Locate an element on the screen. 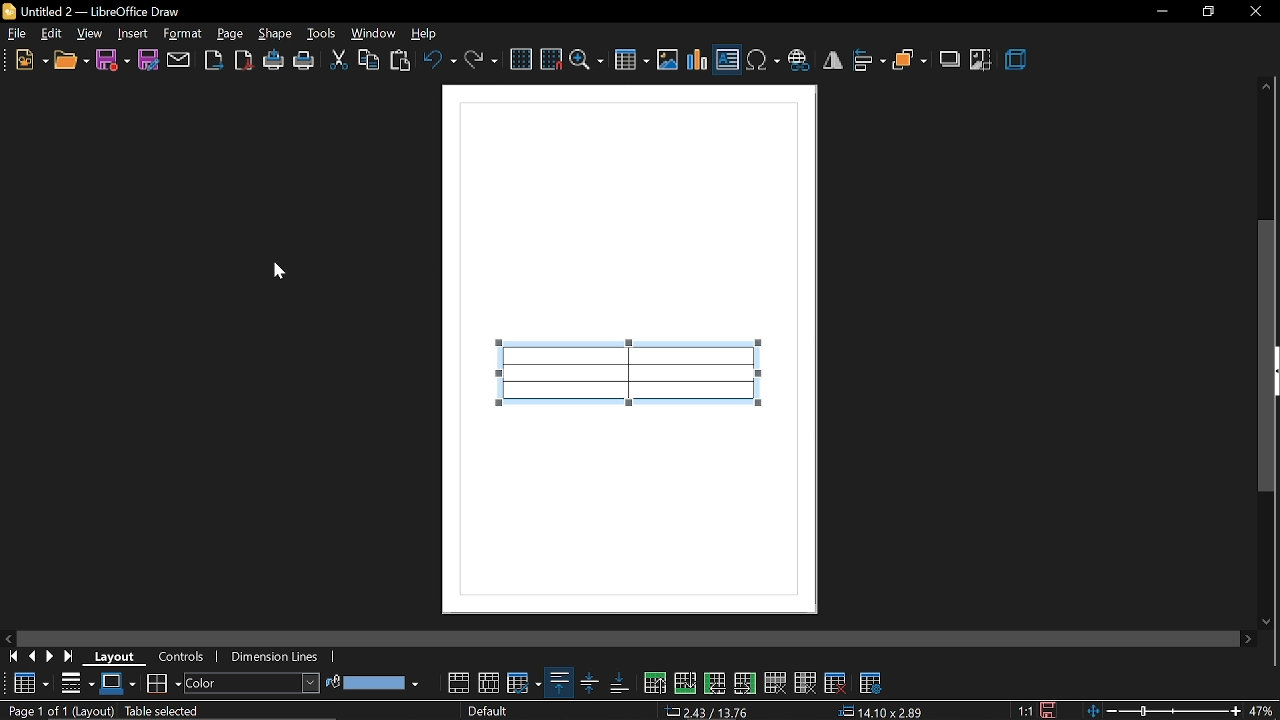 The image size is (1280, 720). undo is located at coordinates (438, 62).